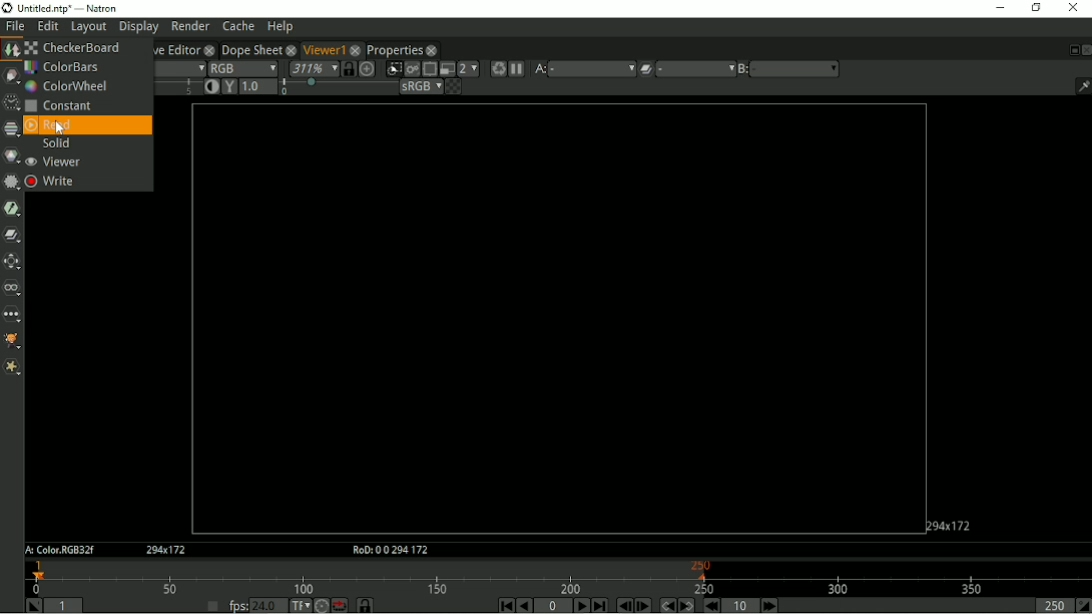 Image resolution: width=1092 pixels, height=614 pixels. Describe the element at coordinates (356, 49) in the screenshot. I see `close` at that location.